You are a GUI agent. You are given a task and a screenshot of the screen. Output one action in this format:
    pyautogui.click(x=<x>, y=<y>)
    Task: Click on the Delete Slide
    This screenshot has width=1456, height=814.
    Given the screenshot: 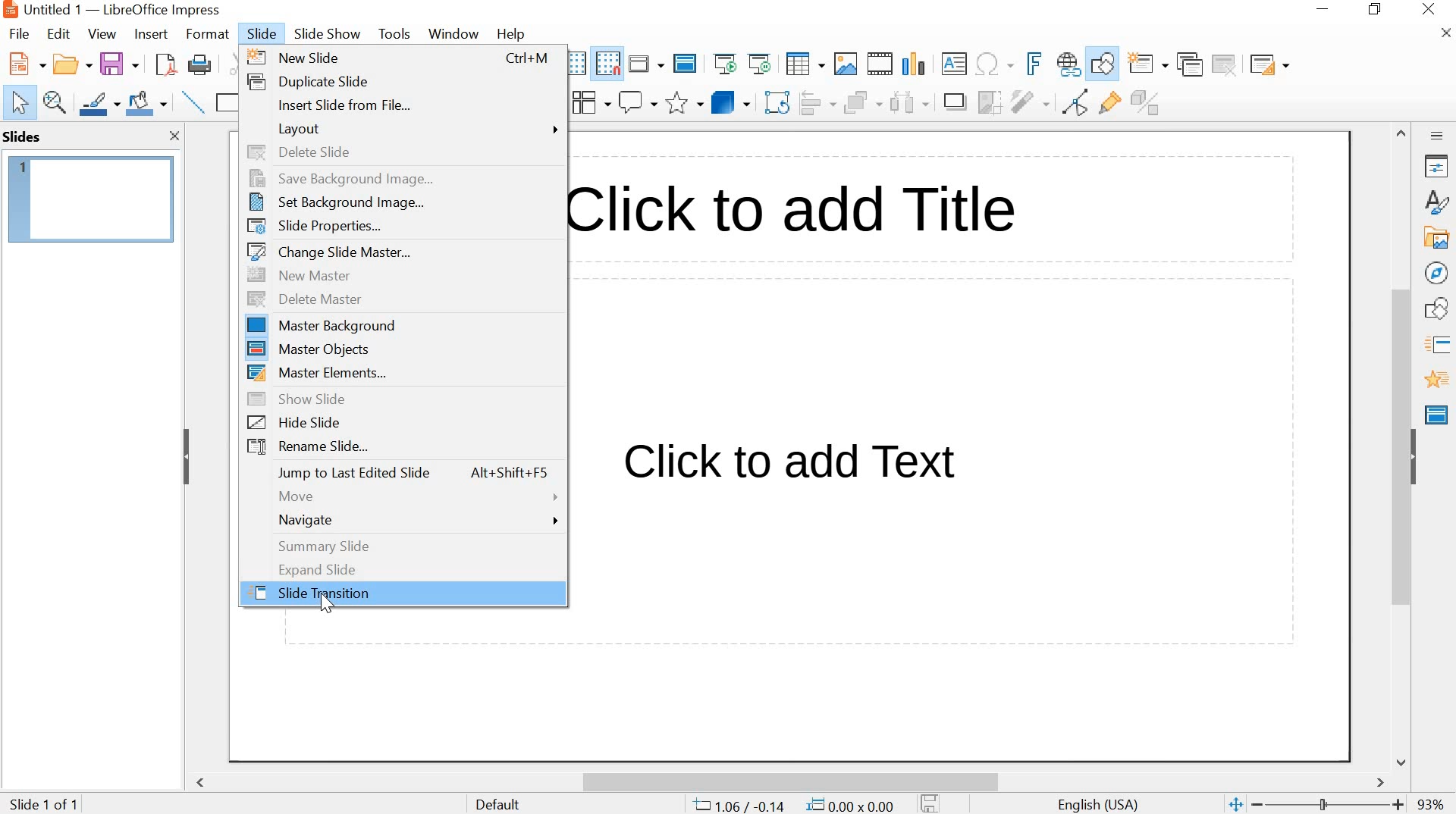 What is the action you would take?
    pyautogui.click(x=1227, y=64)
    